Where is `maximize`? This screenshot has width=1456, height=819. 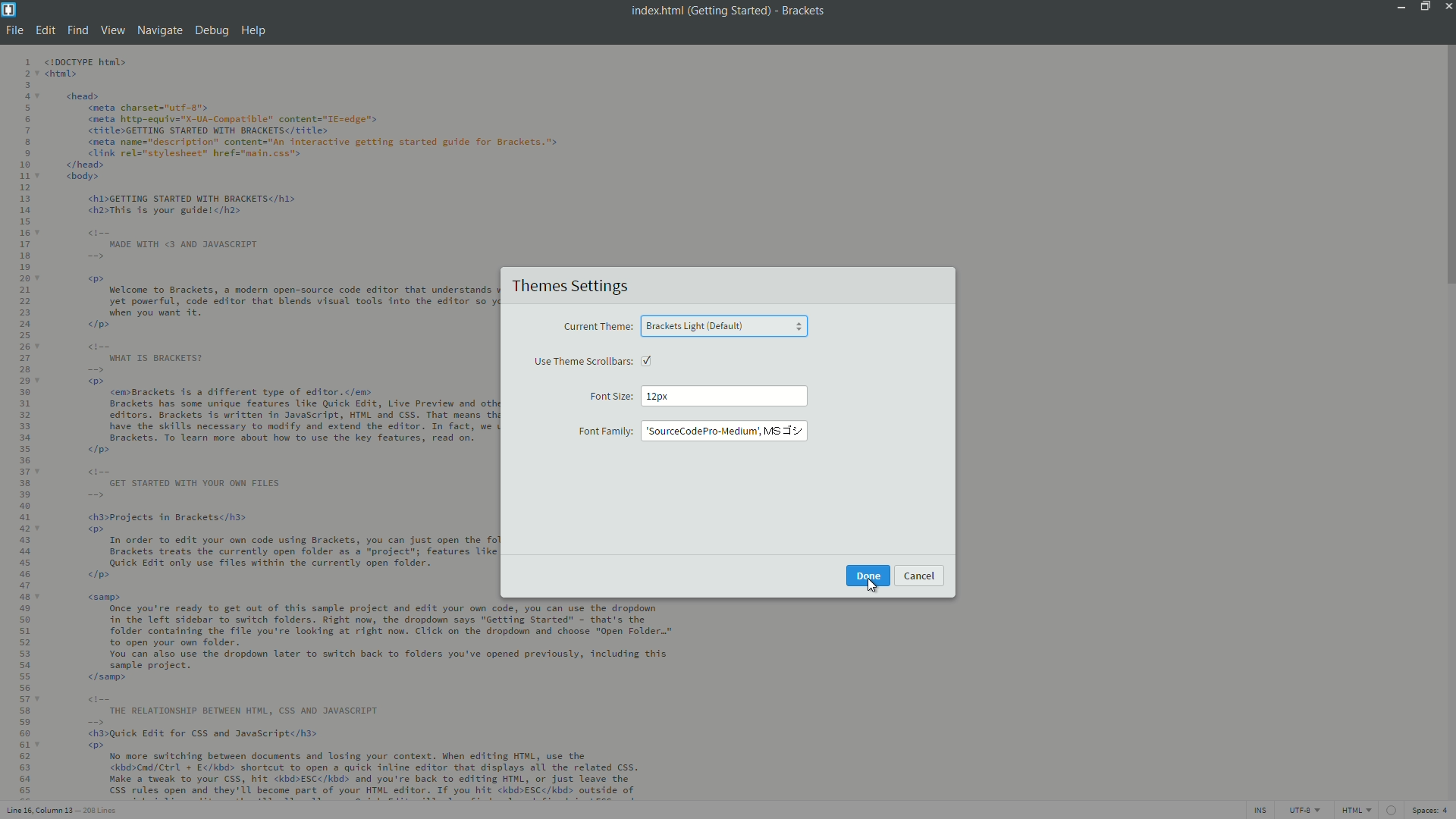
maximize is located at coordinates (1422, 6).